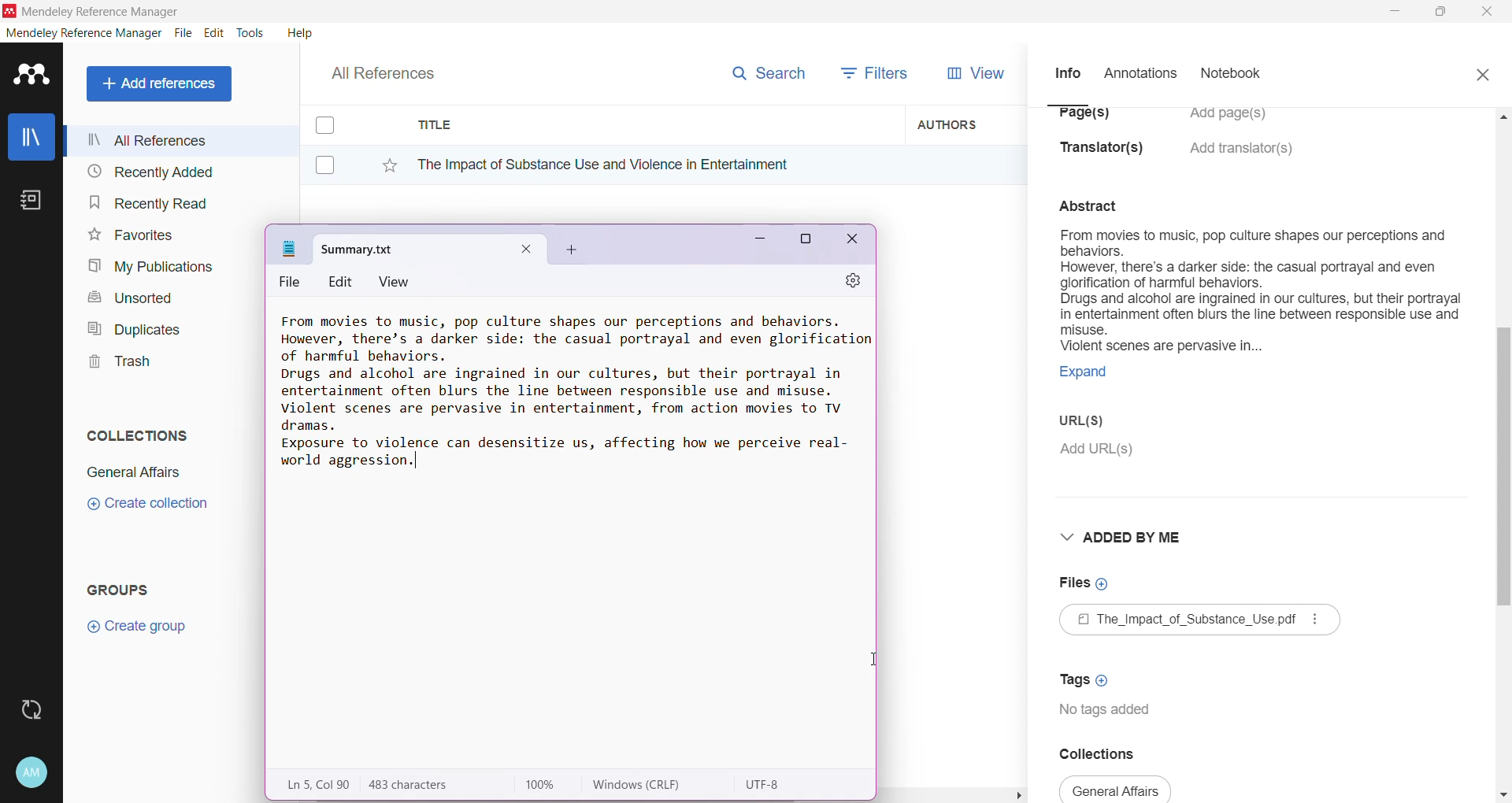 This screenshot has width=1512, height=803. What do you see at coordinates (147, 506) in the screenshot?
I see `Click to Create Collection` at bounding box center [147, 506].